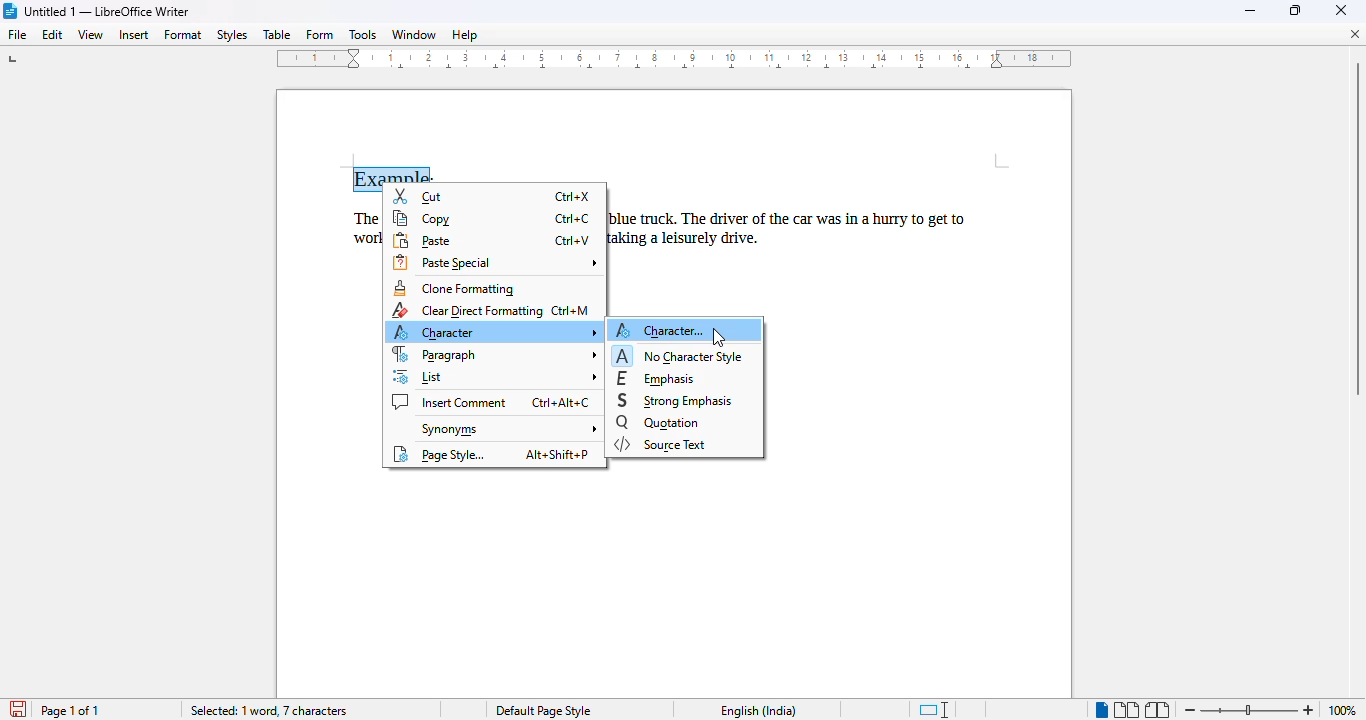  I want to click on copy, so click(422, 219).